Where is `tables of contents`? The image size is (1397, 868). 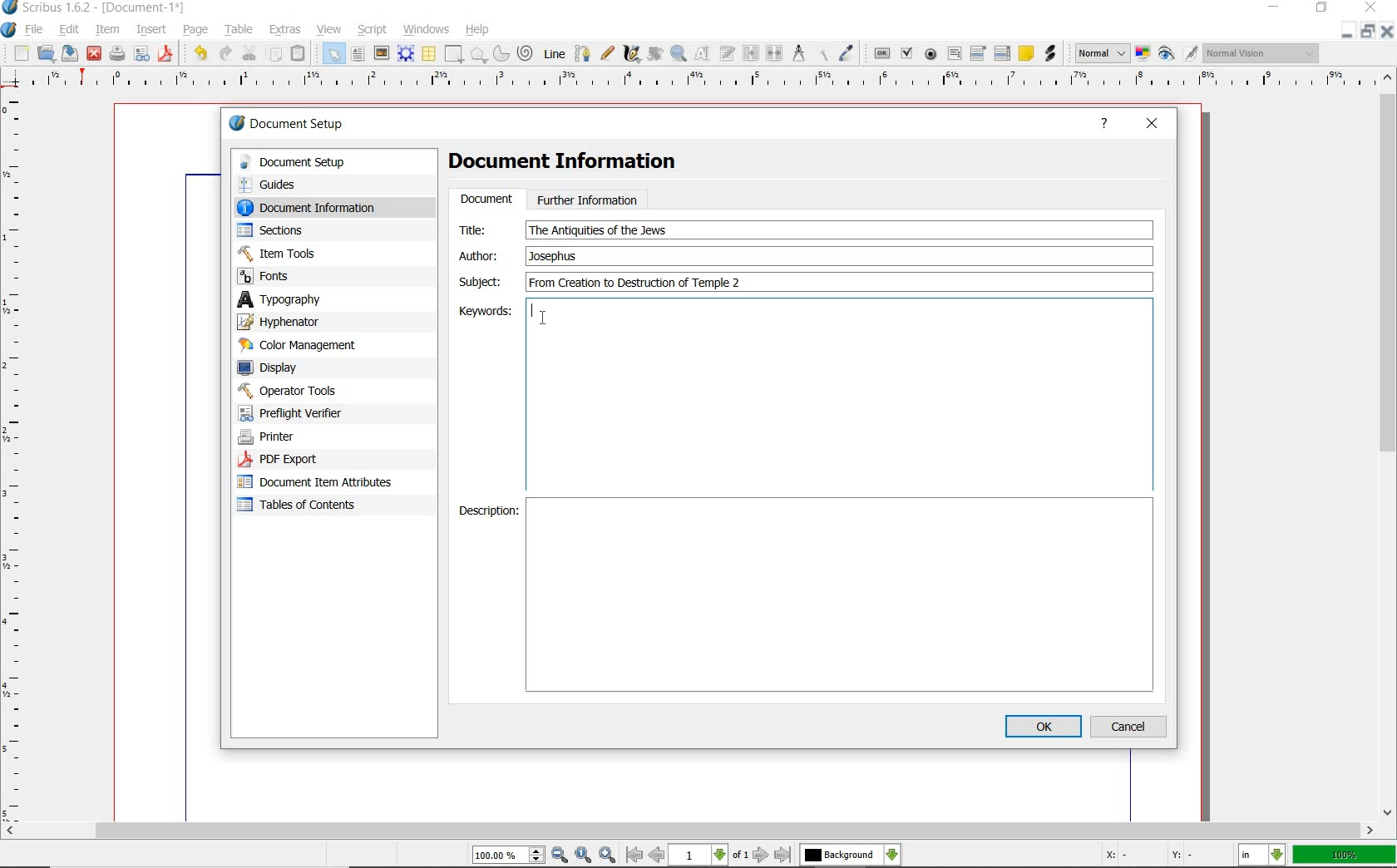 tables of contents is located at coordinates (308, 506).